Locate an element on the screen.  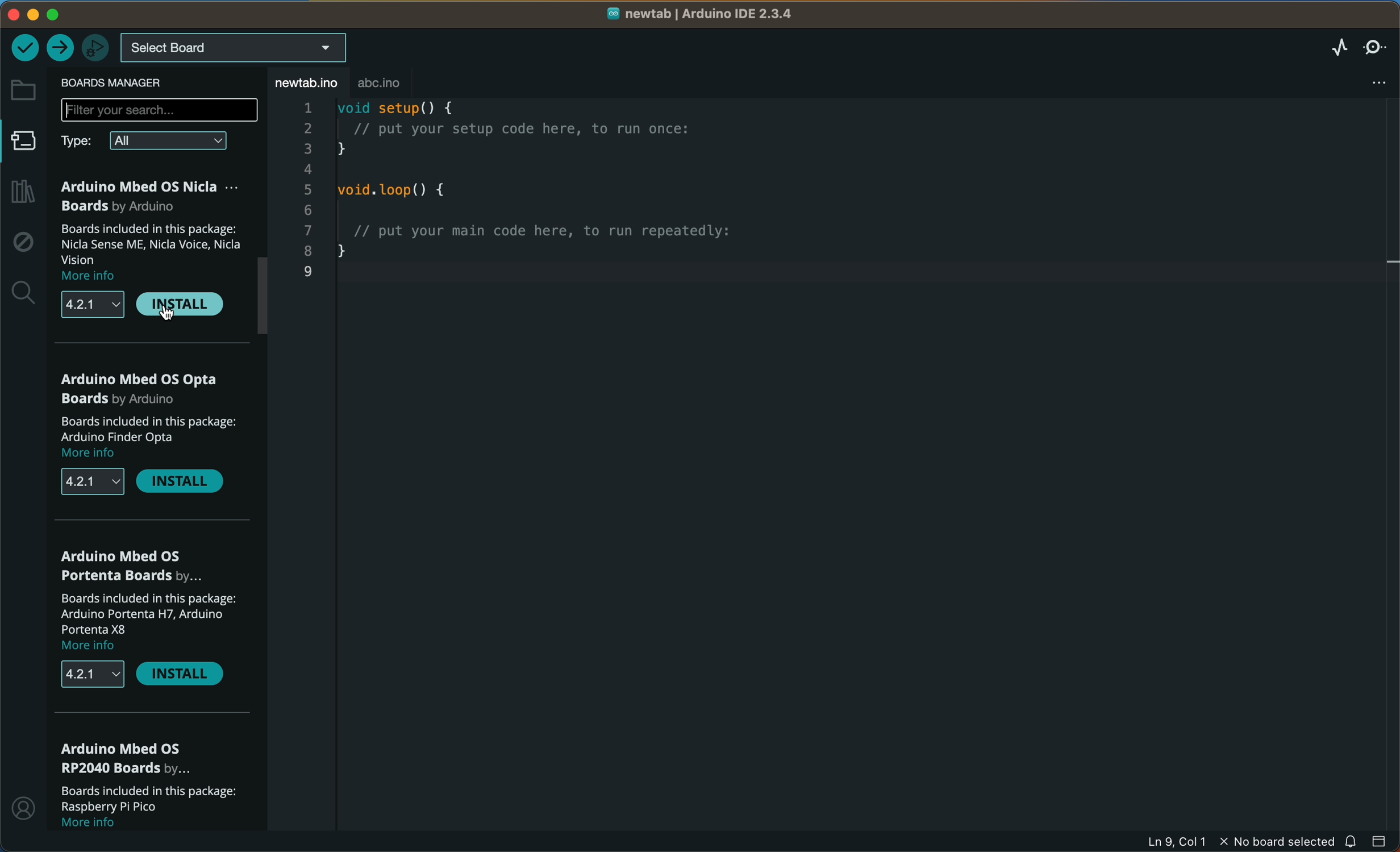
board manager is located at coordinates (124, 84).